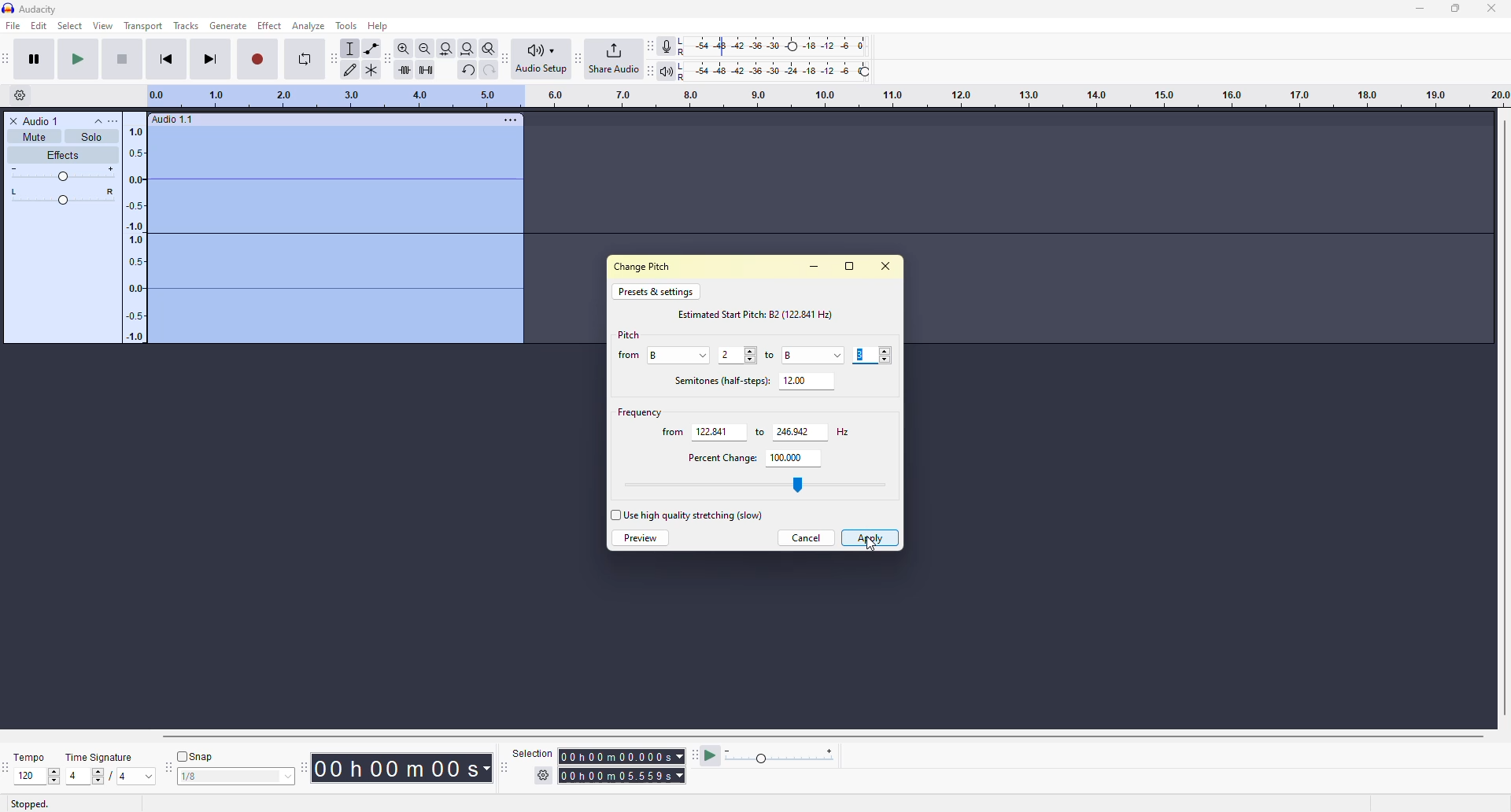 The width and height of the screenshot is (1511, 812). Describe the element at coordinates (793, 379) in the screenshot. I see `value` at that location.